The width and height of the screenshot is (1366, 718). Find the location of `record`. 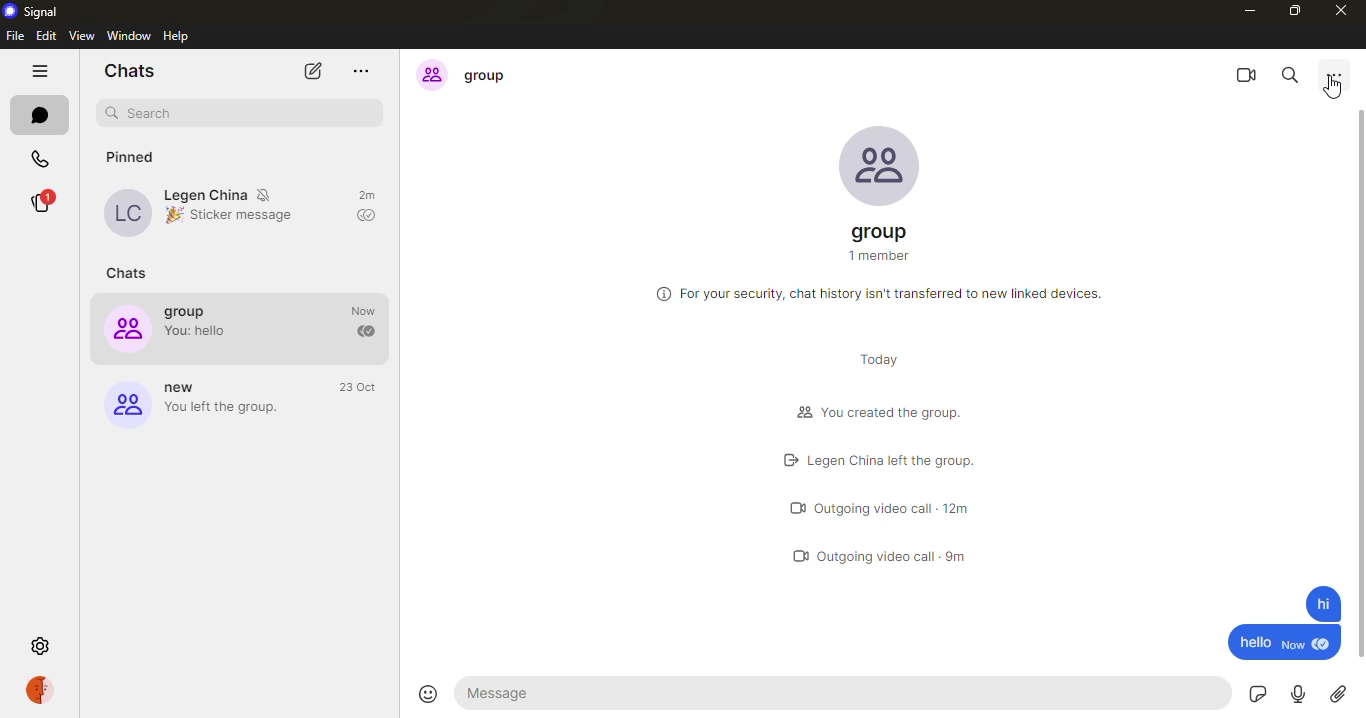

record is located at coordinates (1297, 695).